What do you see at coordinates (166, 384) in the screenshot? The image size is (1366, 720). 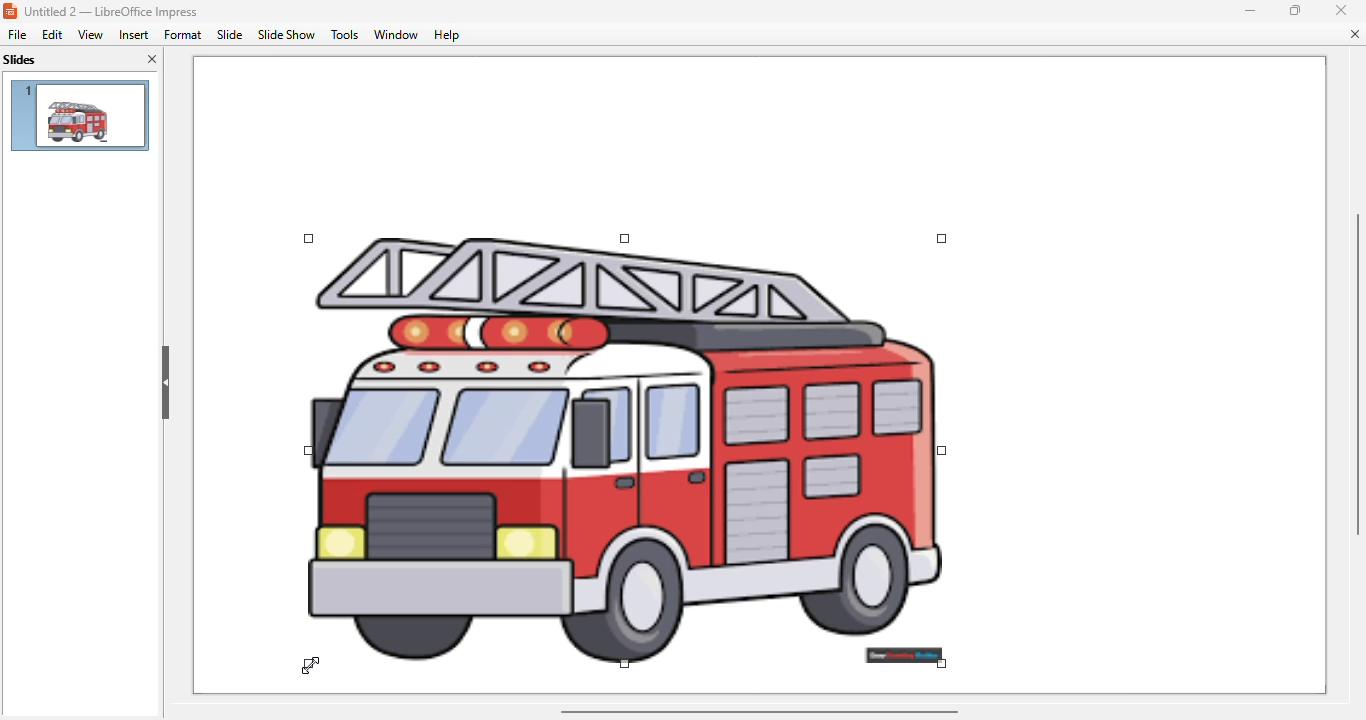 I see `hide` at bounding box center [166, 384].